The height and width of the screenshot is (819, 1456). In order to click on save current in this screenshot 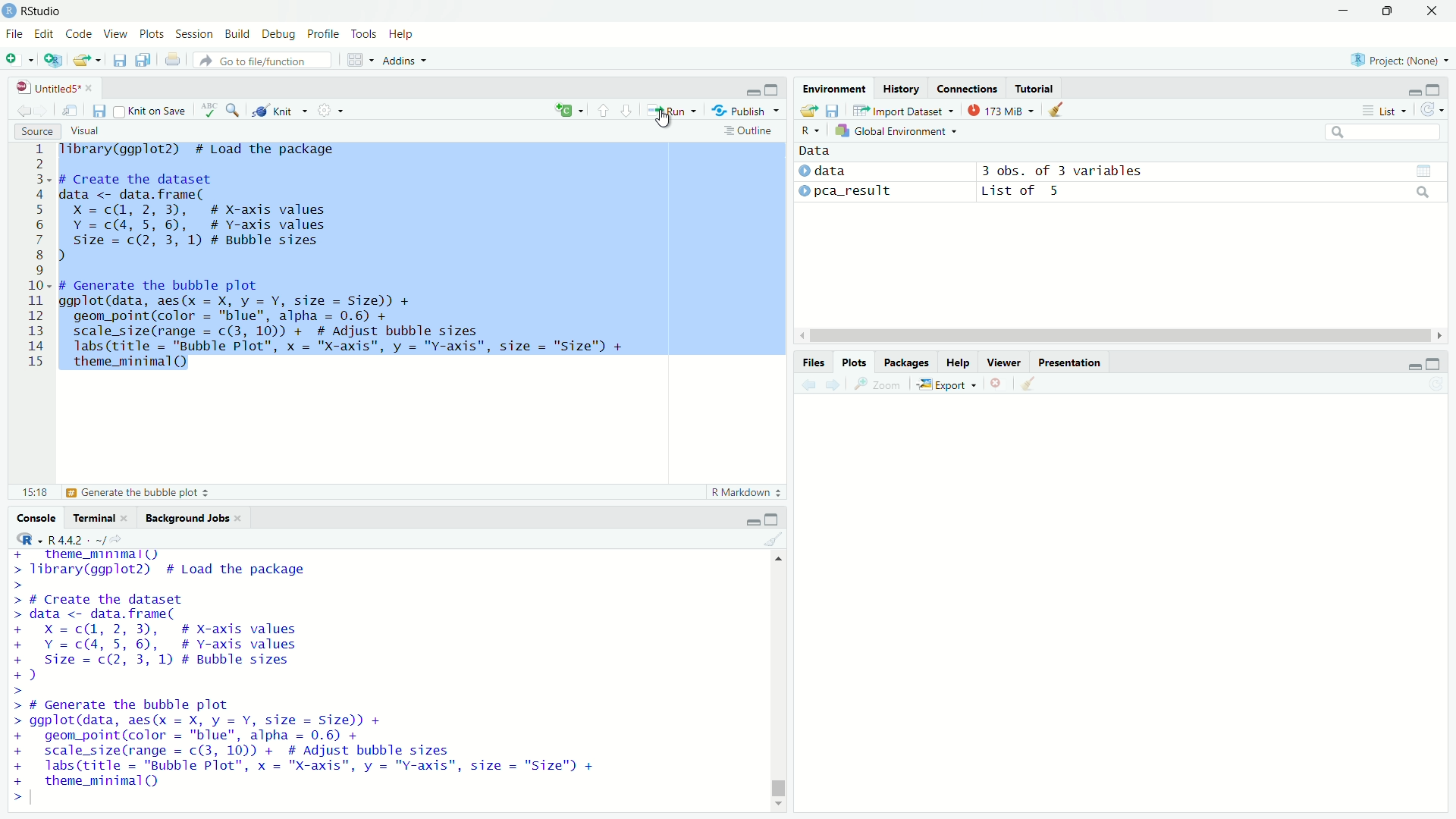, I will do `click(121, 59)`.